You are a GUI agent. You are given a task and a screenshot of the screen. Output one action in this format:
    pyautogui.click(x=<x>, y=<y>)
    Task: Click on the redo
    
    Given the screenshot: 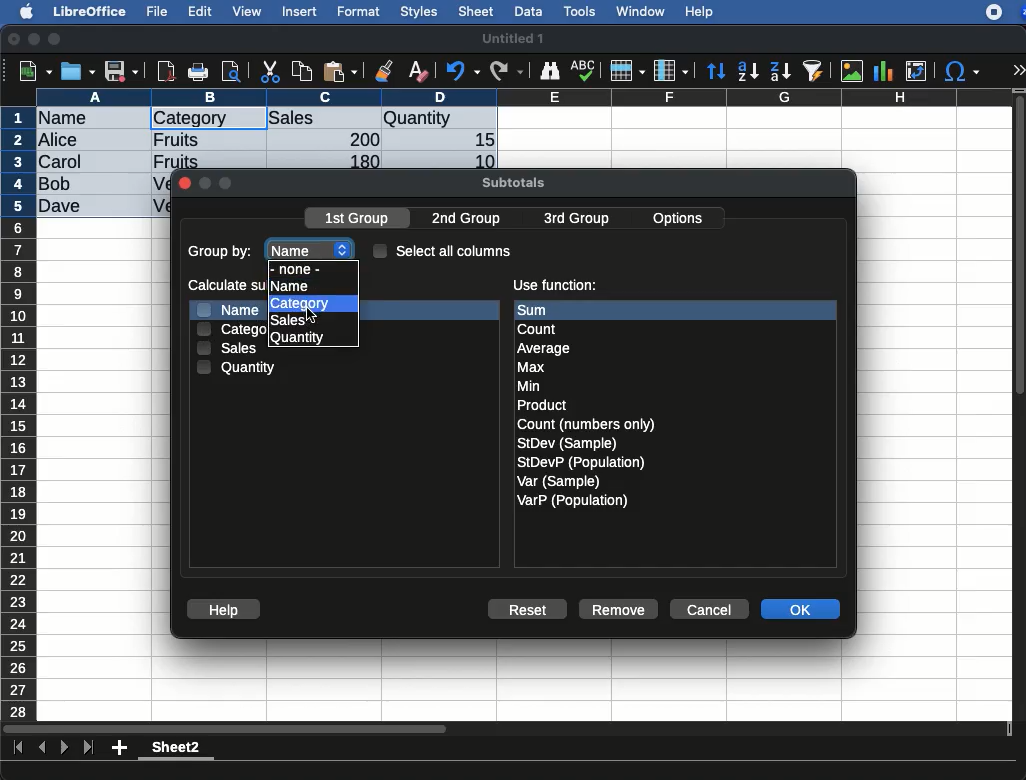 What is the action you would take?
    pyautogui.click(x=507, y=71)
    